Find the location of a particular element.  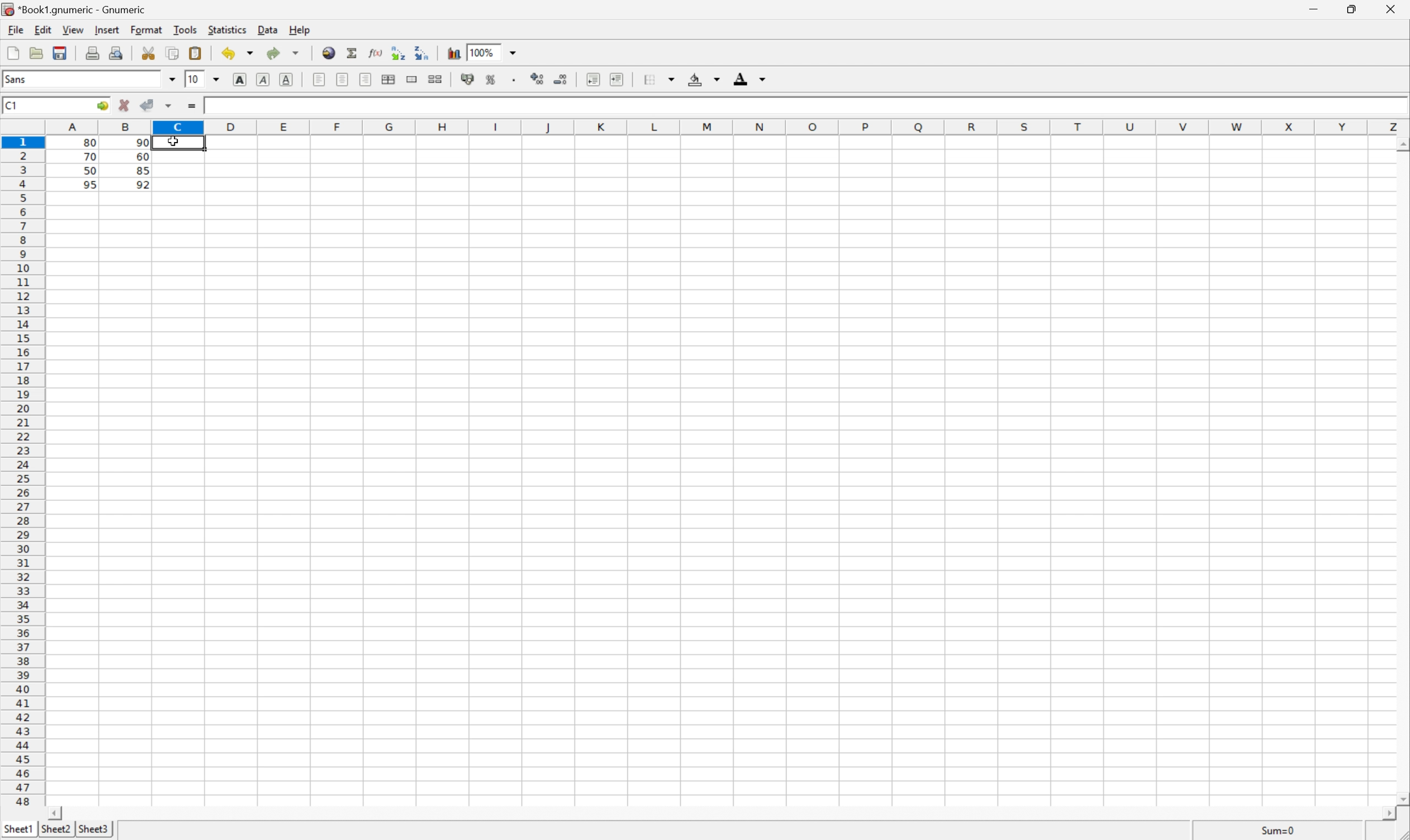

85 is located at coordinates (142, 172).